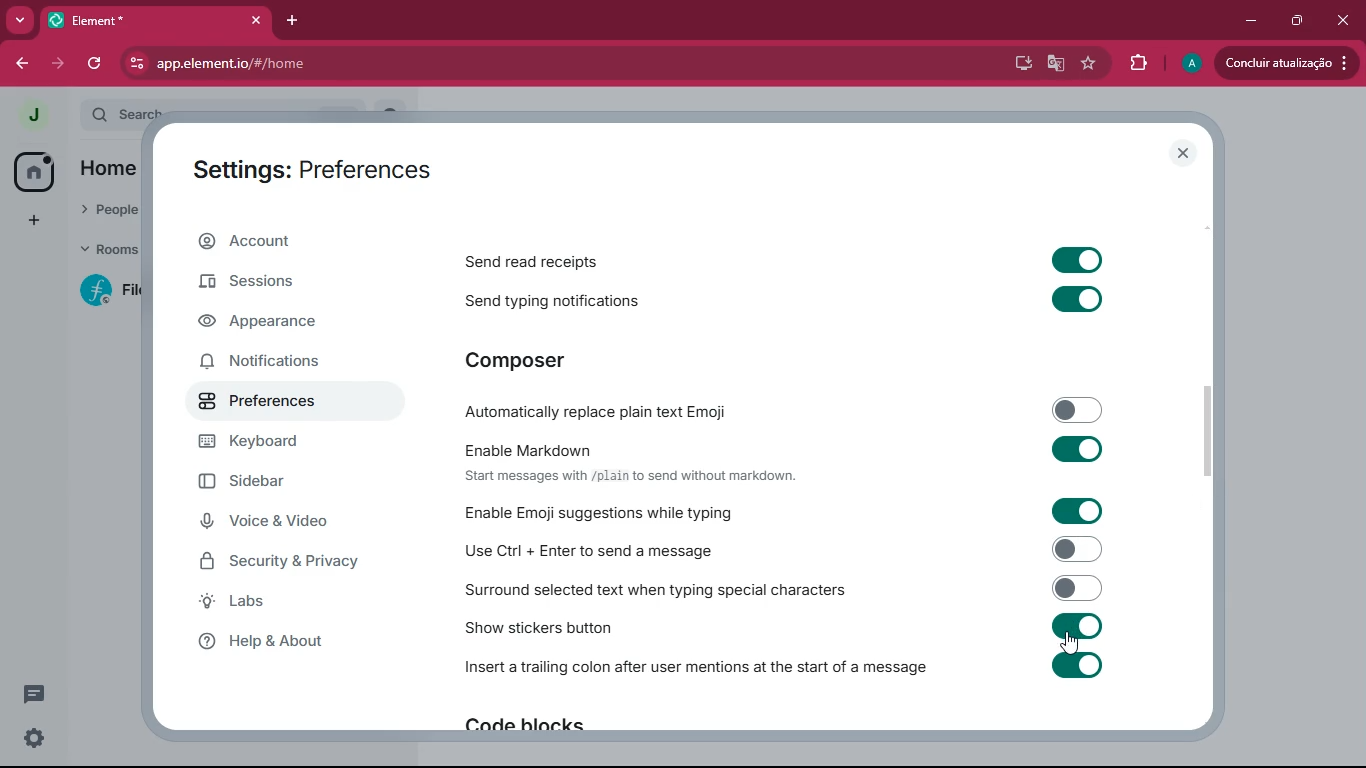 The height and width of the screenshot is (768, 1366). I want to click on profile, so click(1190, 63).